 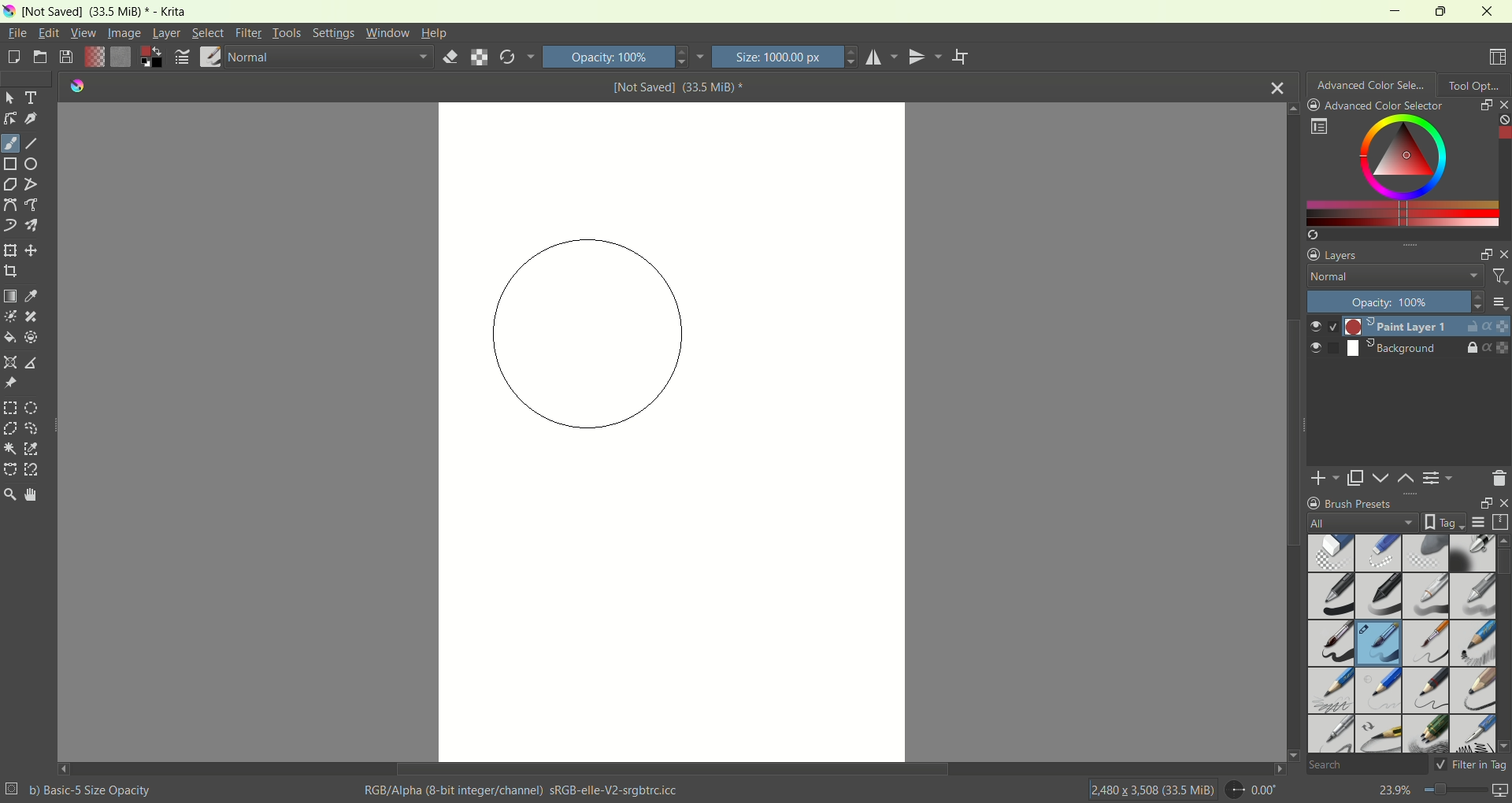 What do you see at coordinates (1481, 503) in the screenshot?
I see `float docker` at bounding box center [1481, 503].